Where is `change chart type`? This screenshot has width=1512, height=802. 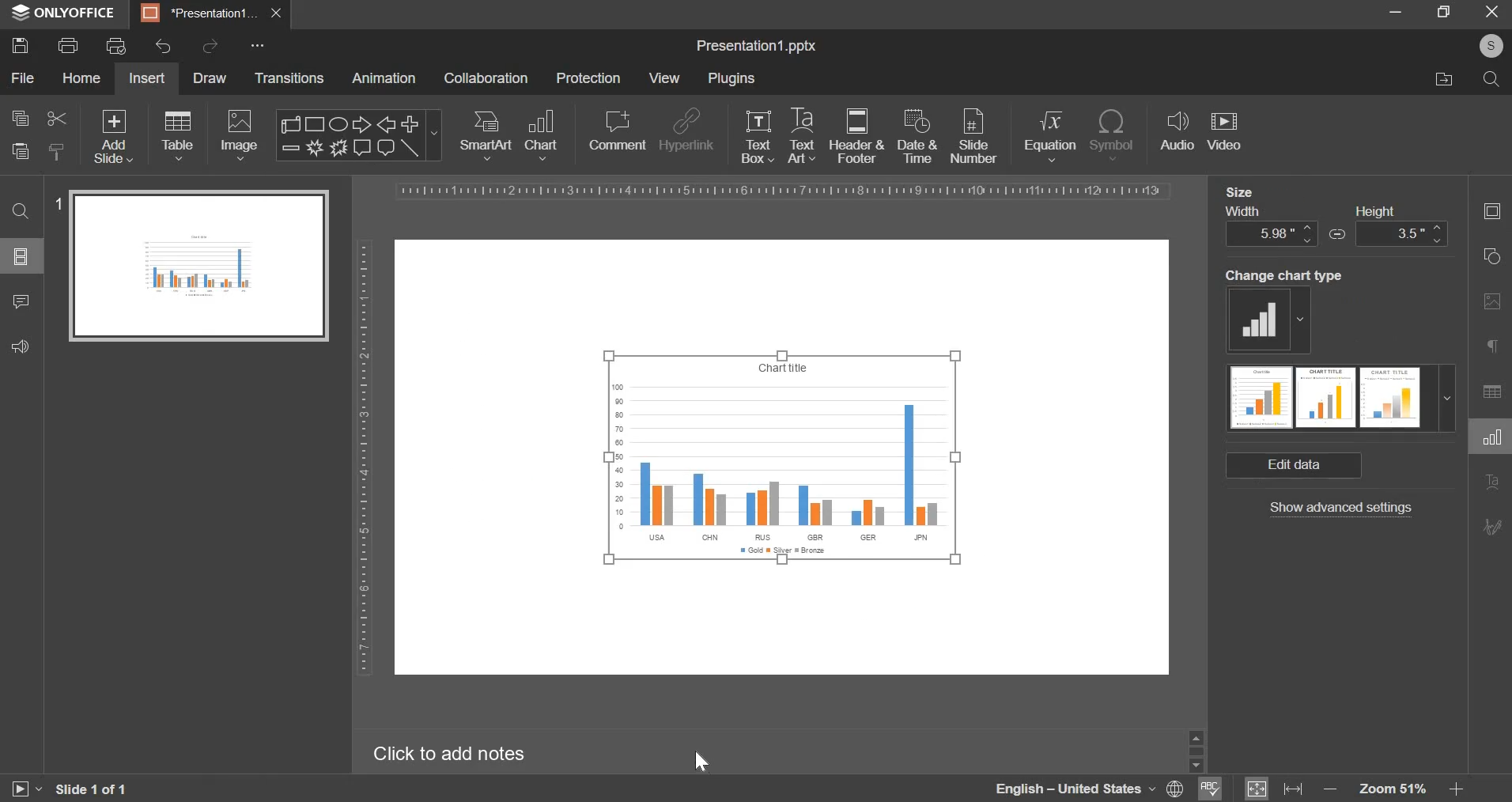
change chart type is located at coordinates (1280, 275).